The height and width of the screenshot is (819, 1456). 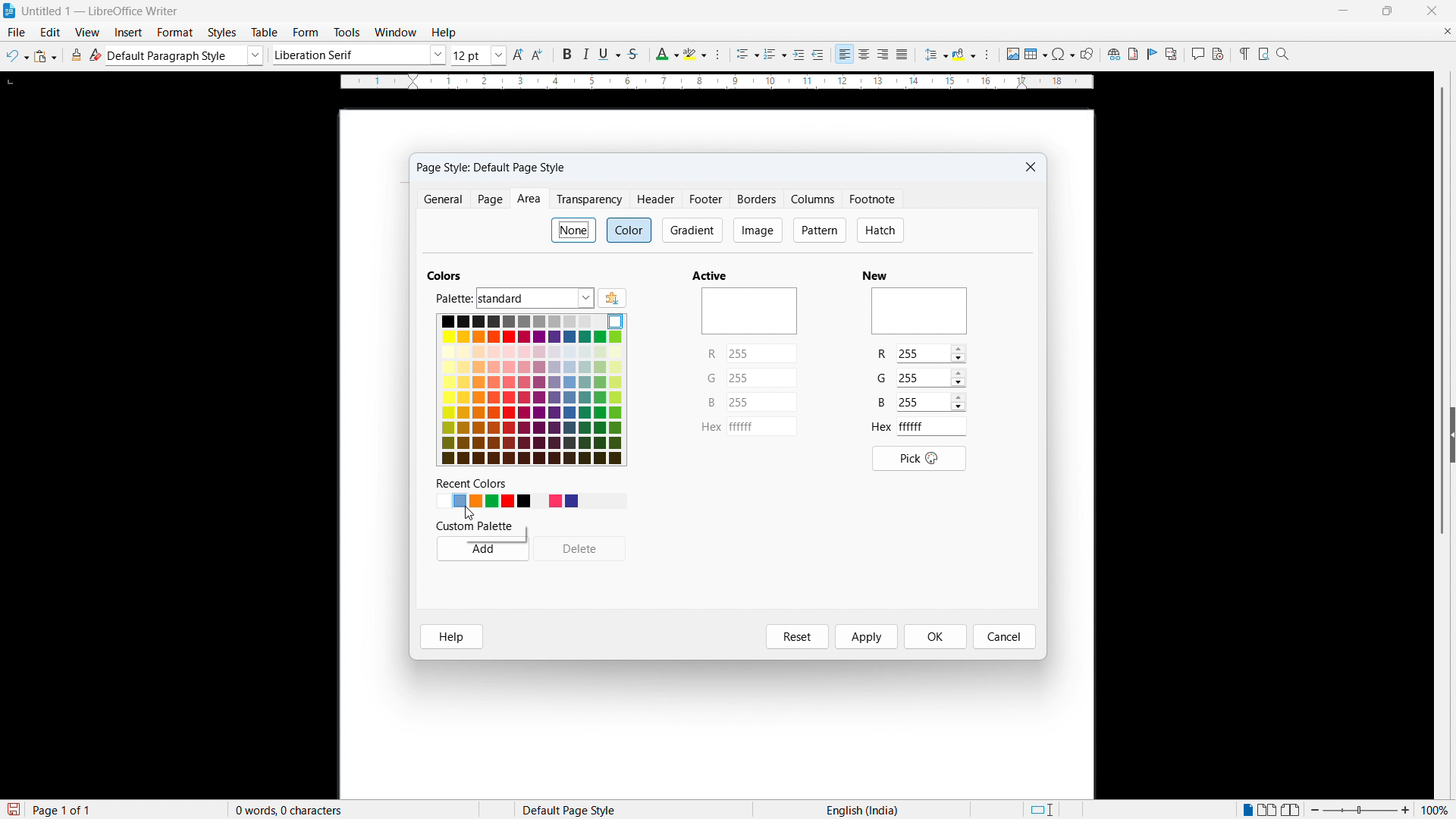 I want to click on Scroll bar , so click(x=1444, y=312).